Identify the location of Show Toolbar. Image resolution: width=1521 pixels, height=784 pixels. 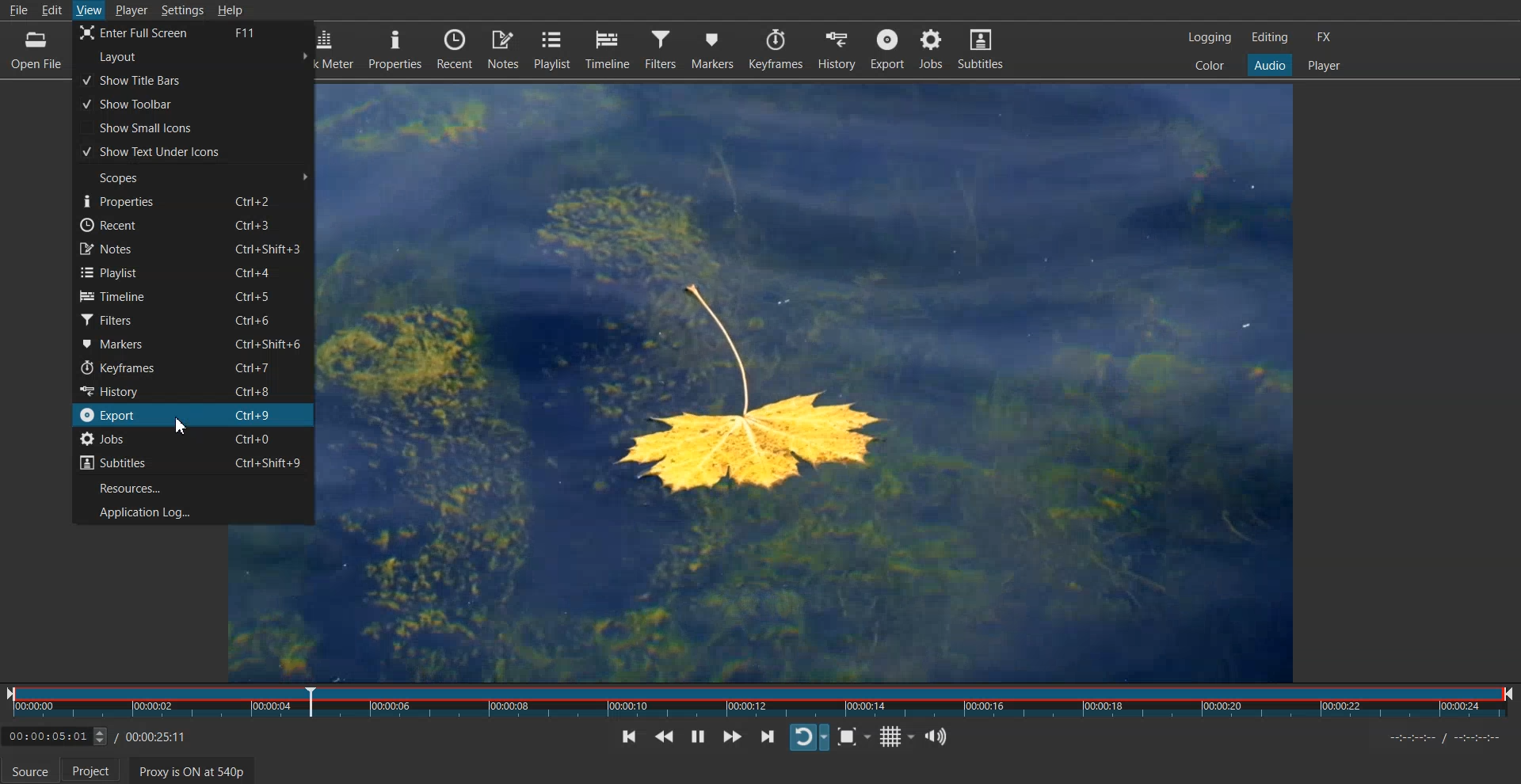
(192, 104).